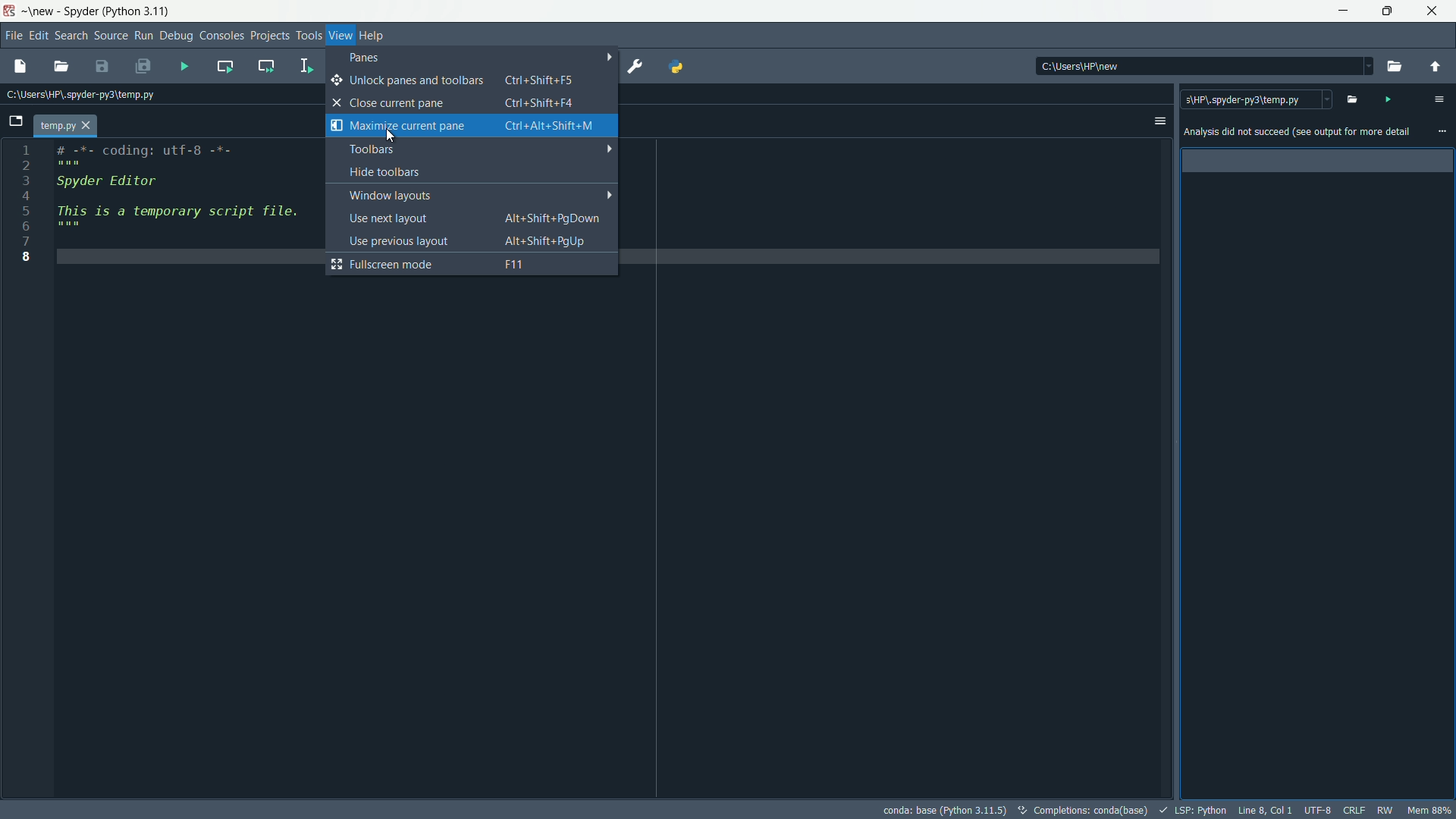 The width and height of the screenshot is (1456, 819). Describe the element at coordinates (391, 136) in the screenshot. I see `cursor` at that location.